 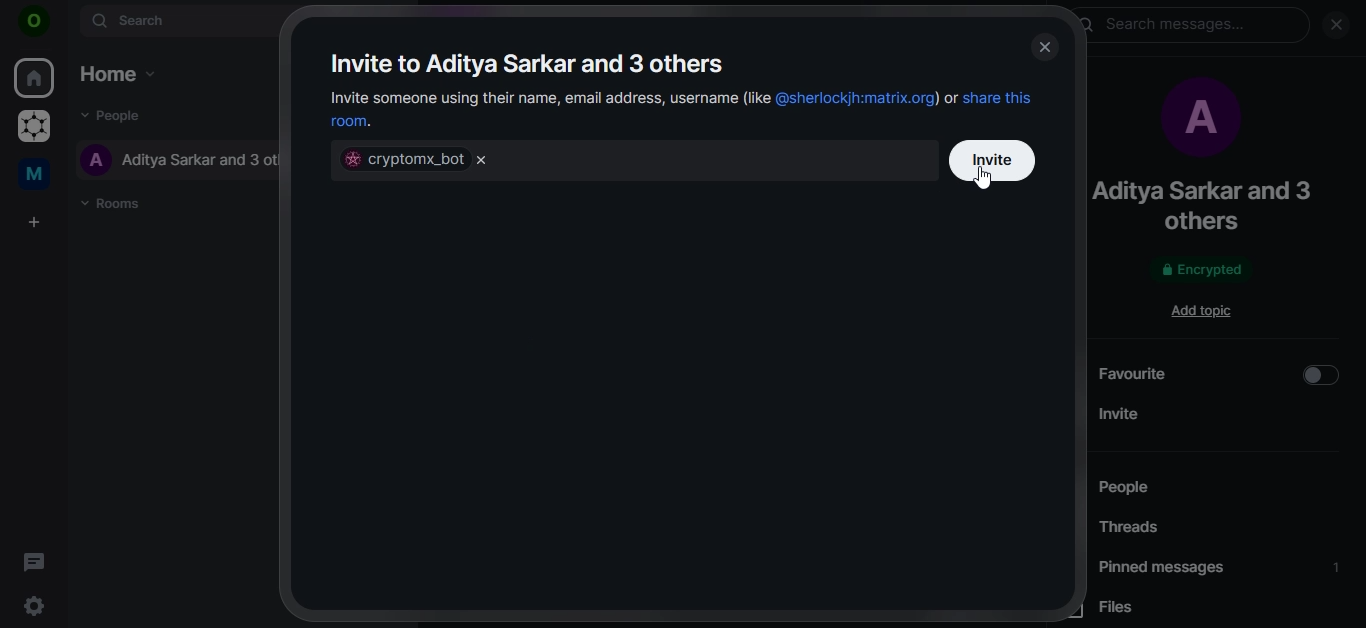 I want to click on close, so click(x=1336, y=26).